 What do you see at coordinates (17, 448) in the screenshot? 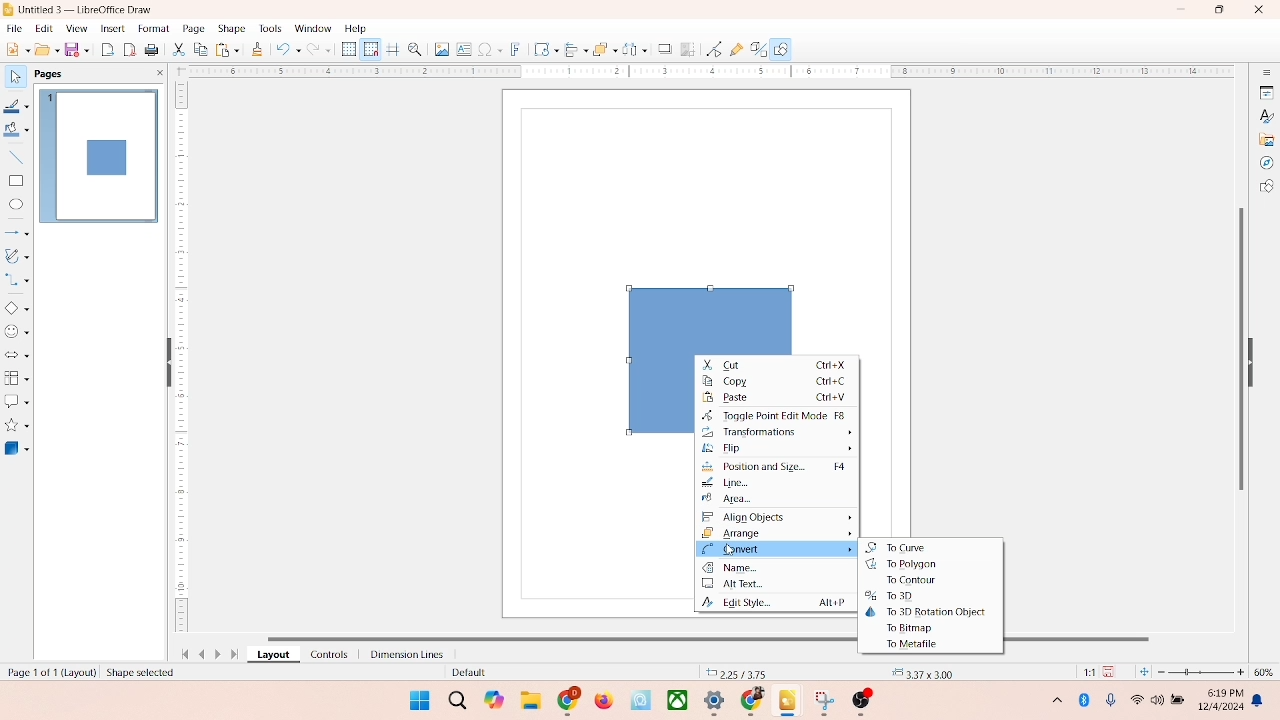
I see `3D shape` at bounding box center [17, 448].